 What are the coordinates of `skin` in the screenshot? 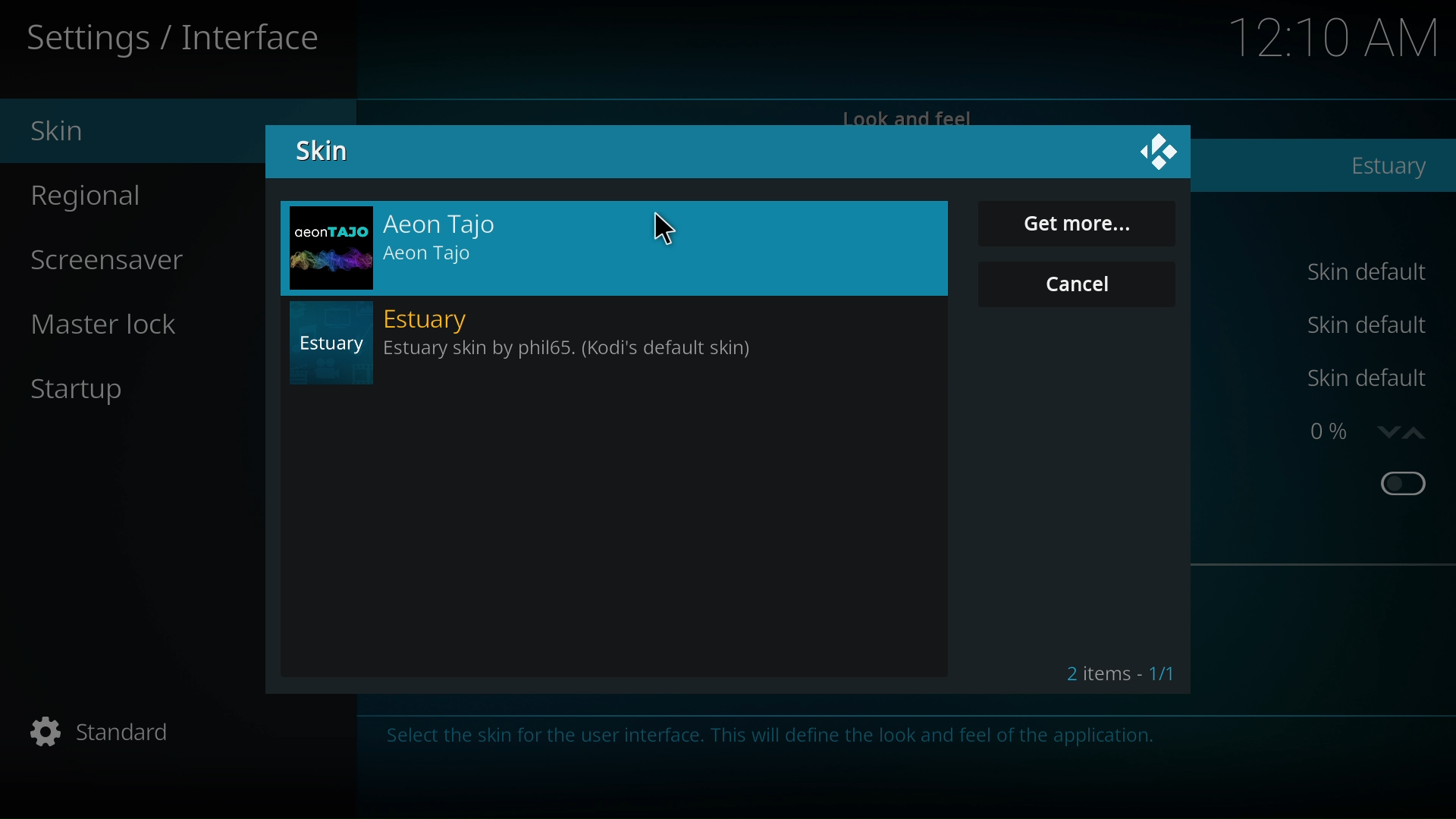 It's located at (318, 155).